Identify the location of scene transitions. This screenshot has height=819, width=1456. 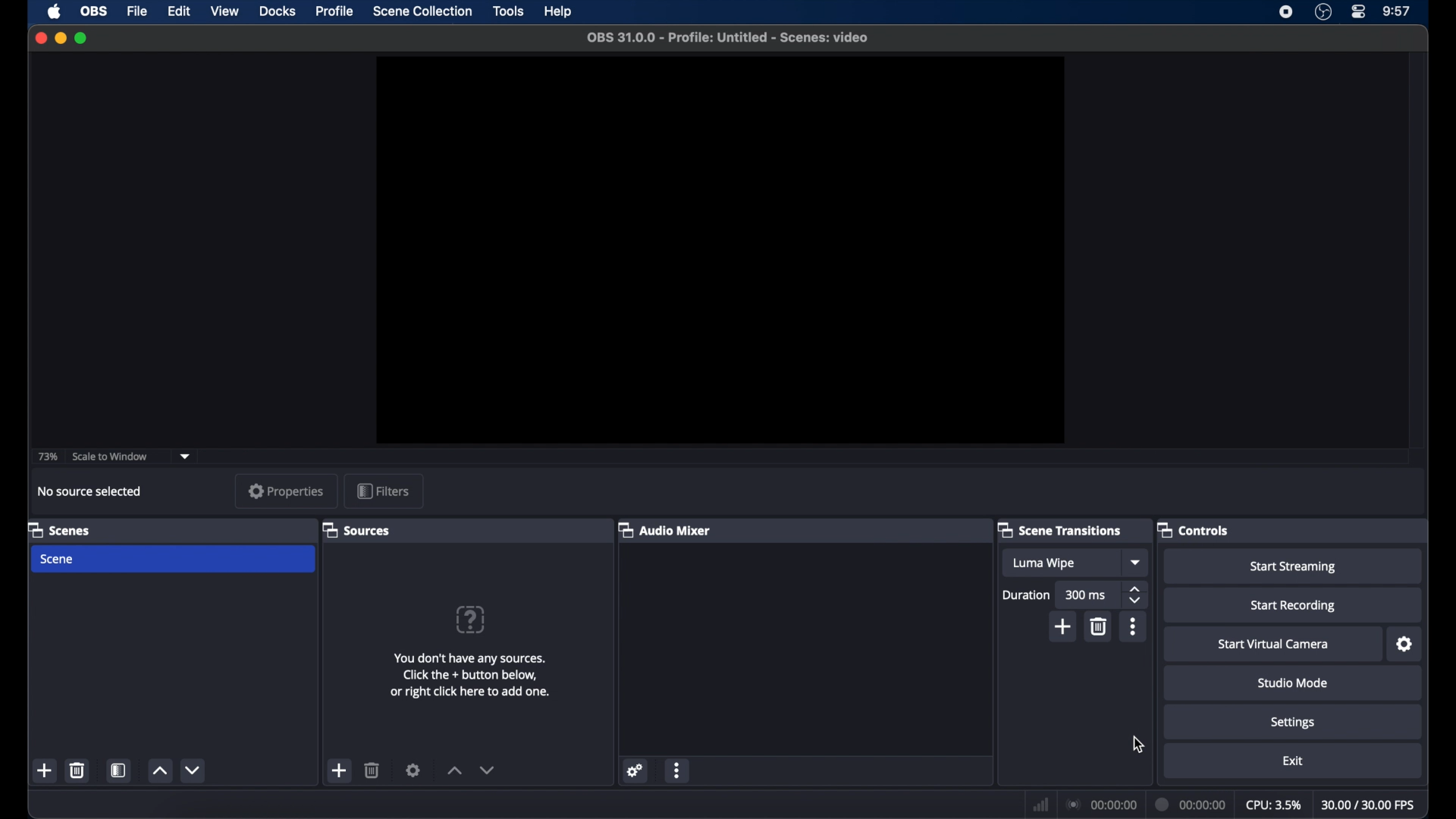
(1060, 529).